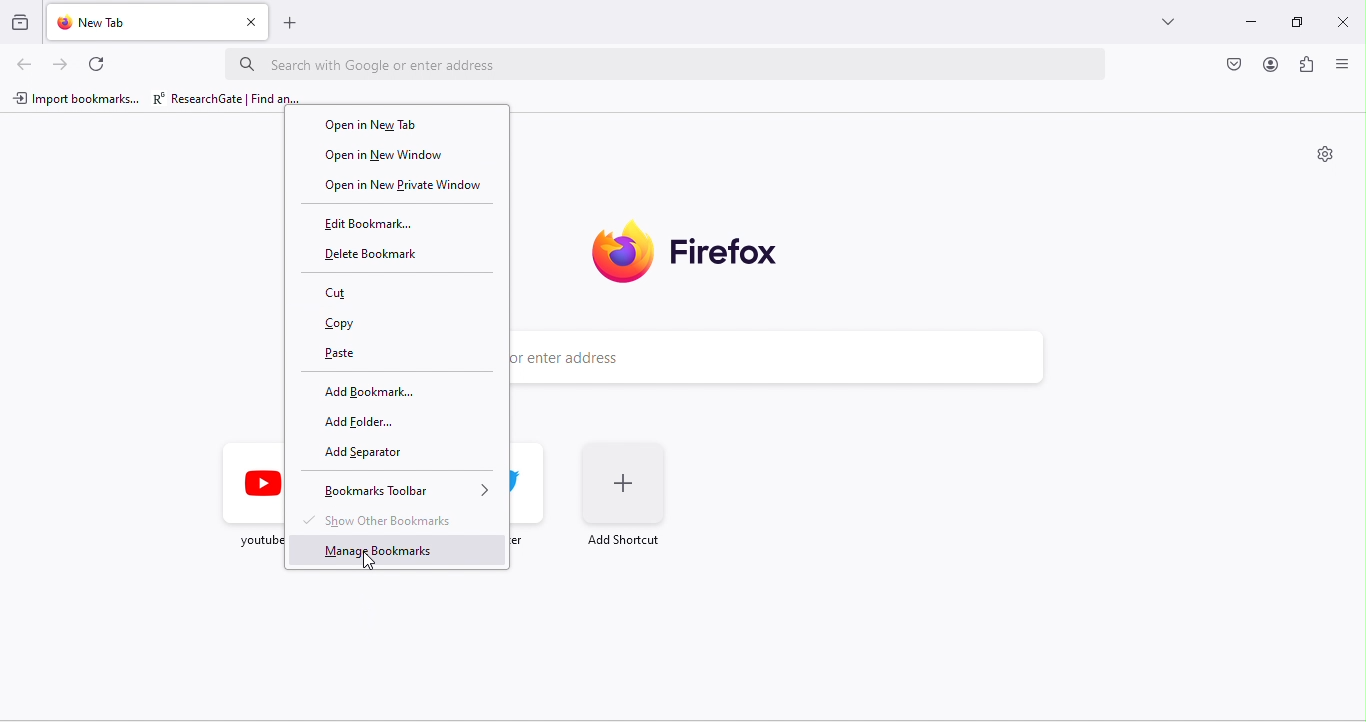 Image resolution: width=1366 pixels, height=722 pixels. Describe the element at coordinates (403, 551) in the screenshot. I see `manage bookmarks` at that location.